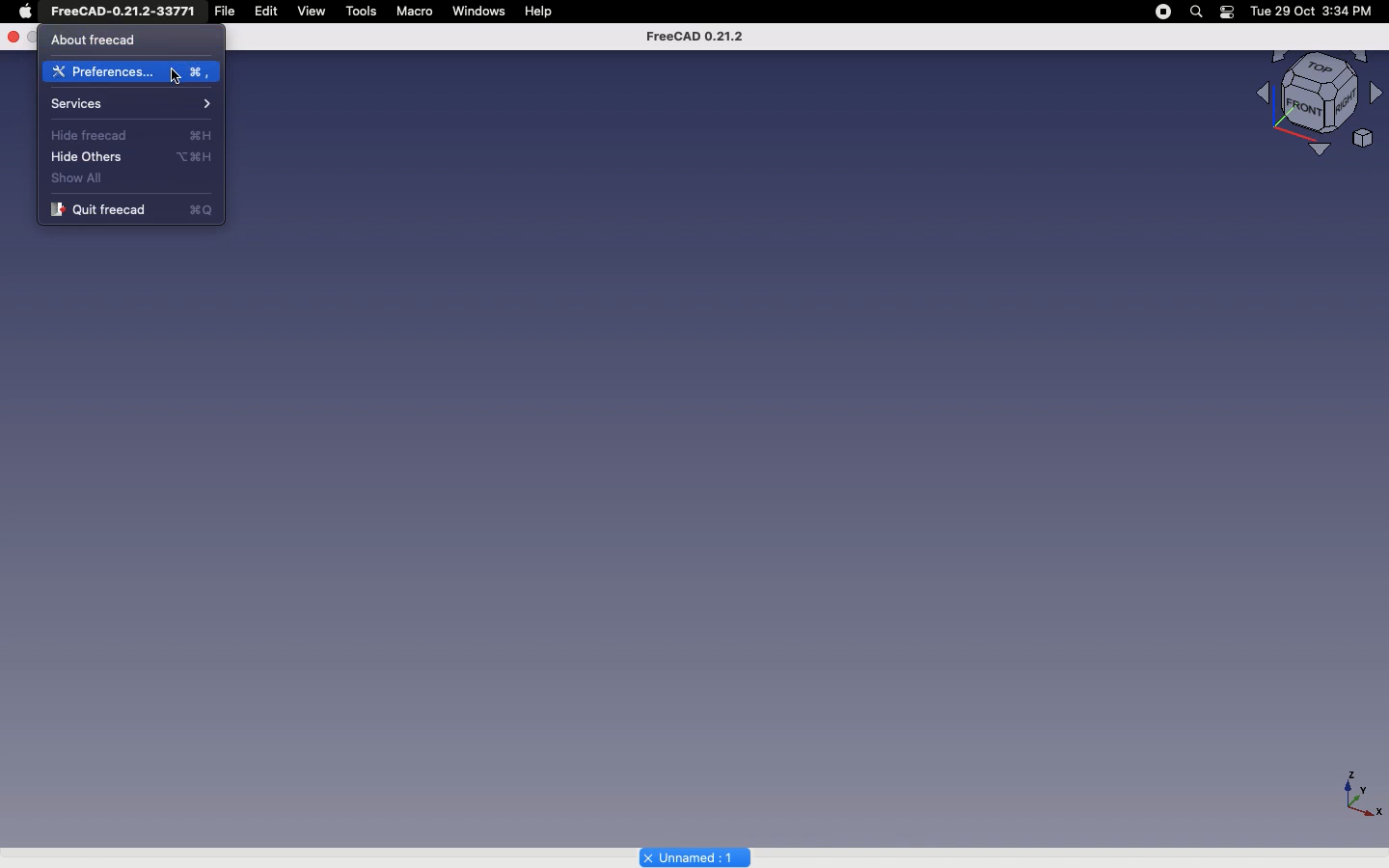 The width and height of the screenshot is (1389, 868). I want to click on tools, so click(360, 11).